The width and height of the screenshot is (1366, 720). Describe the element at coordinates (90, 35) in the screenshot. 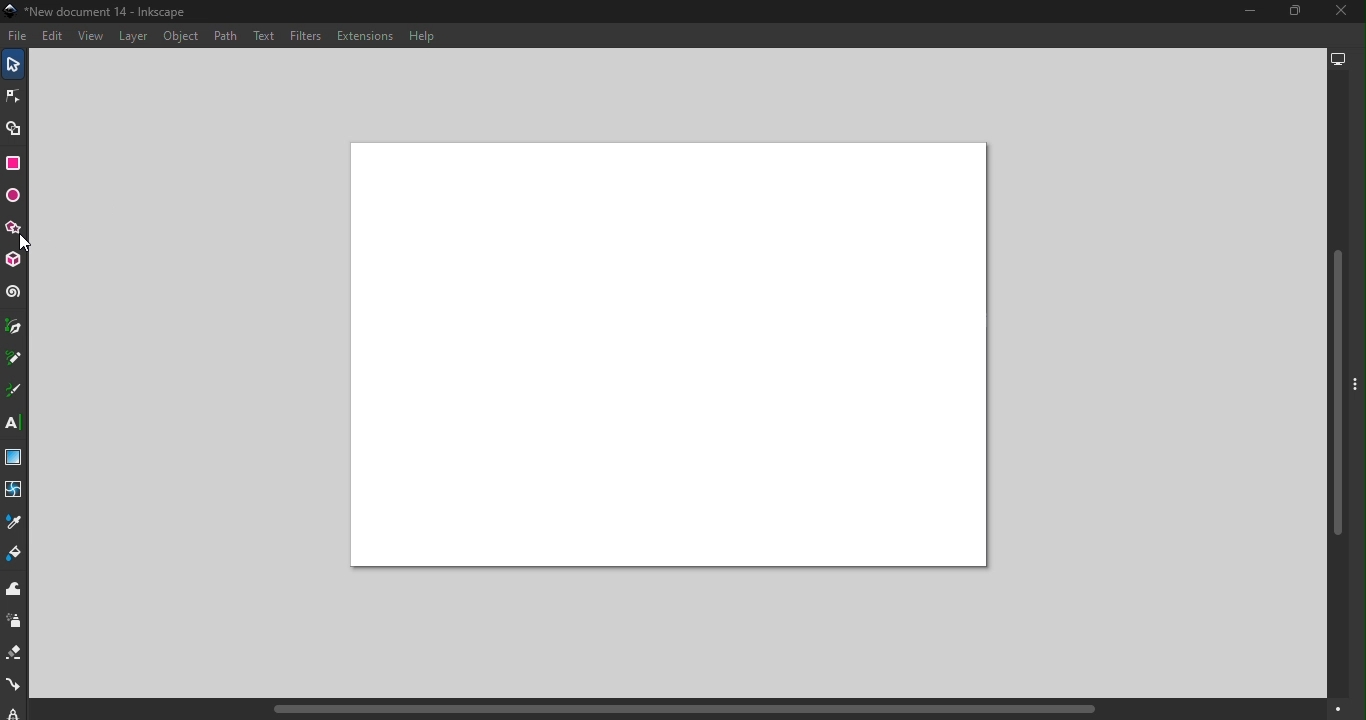

I see `View` at that location.